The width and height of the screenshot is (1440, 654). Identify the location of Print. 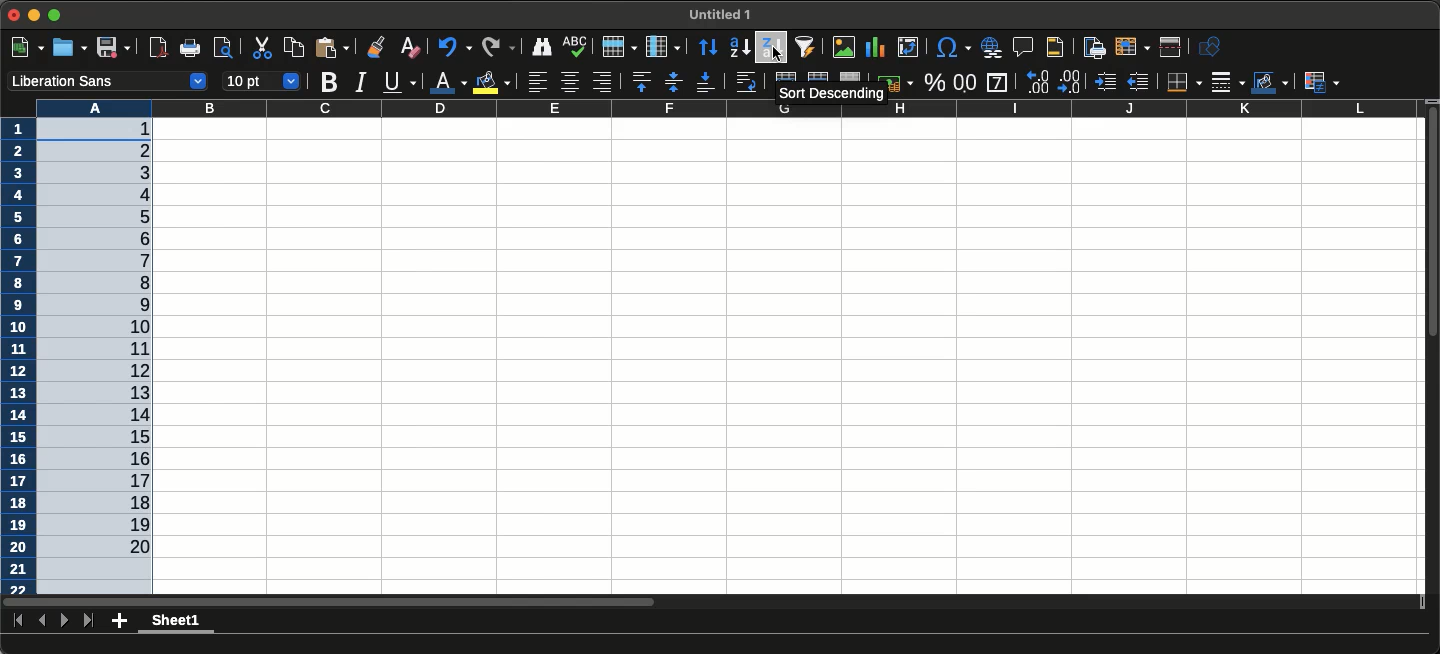
(188, 49).